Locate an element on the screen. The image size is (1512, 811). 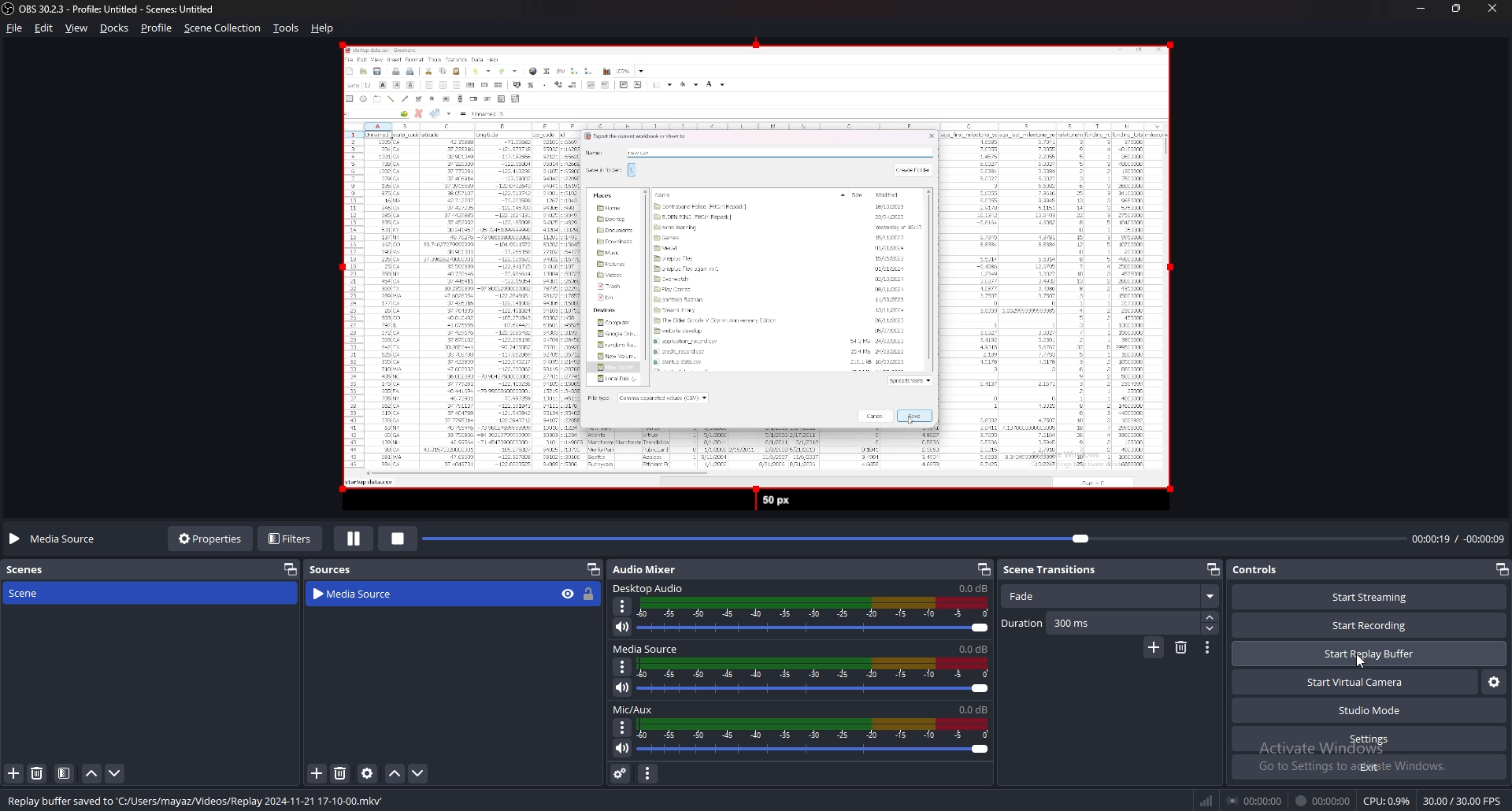
stop is located at coordinates (398, 539).